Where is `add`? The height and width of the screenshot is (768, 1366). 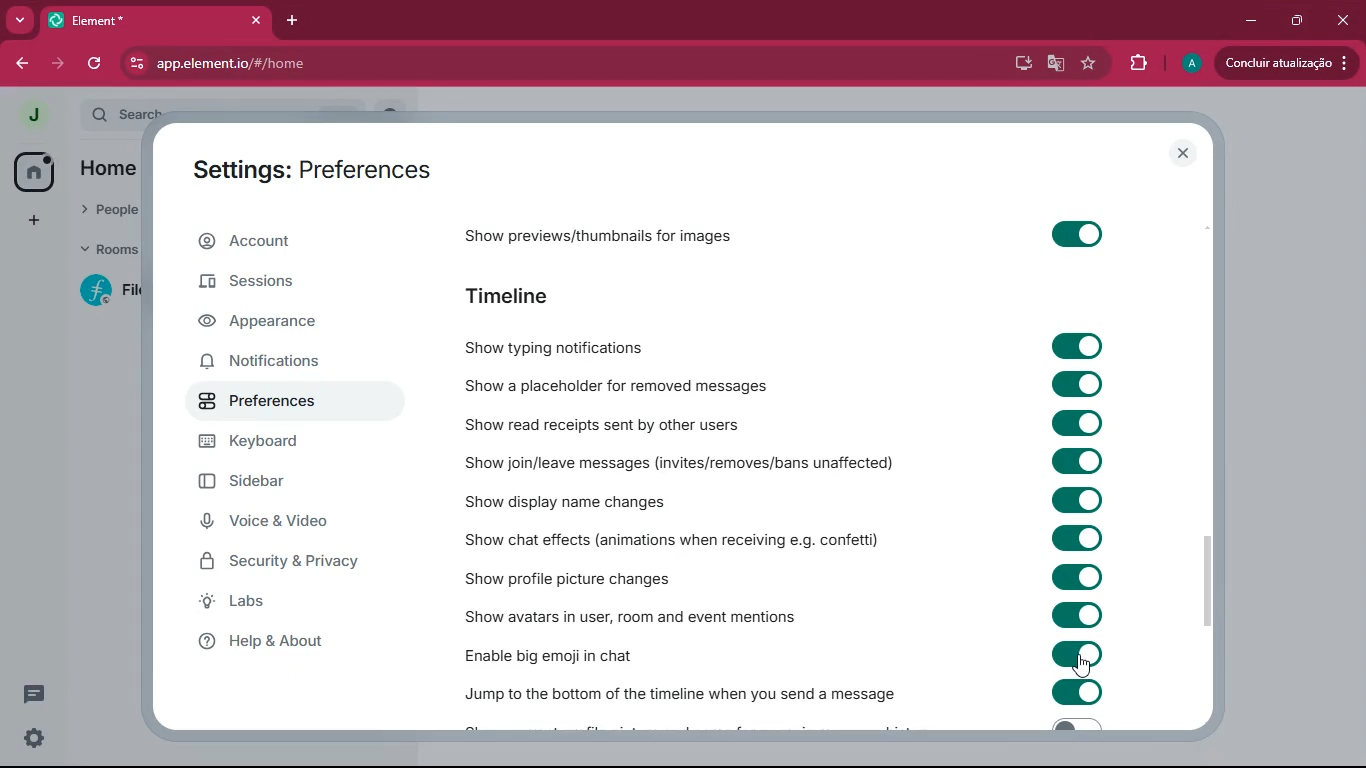 add is located at coordinates (35, 219).